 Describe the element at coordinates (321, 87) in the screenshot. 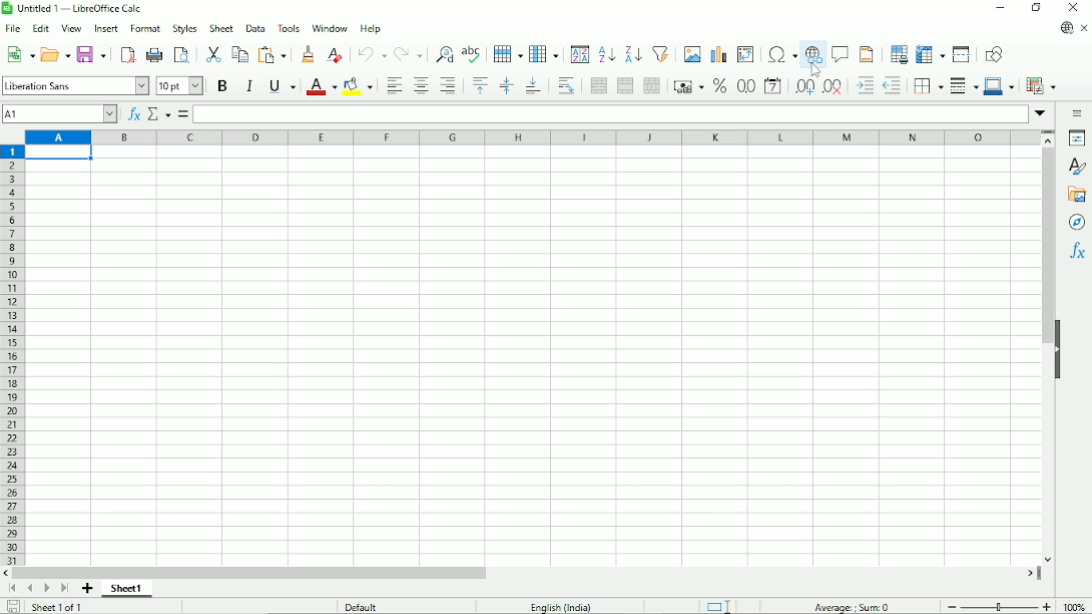

I see `Font color` at that location.